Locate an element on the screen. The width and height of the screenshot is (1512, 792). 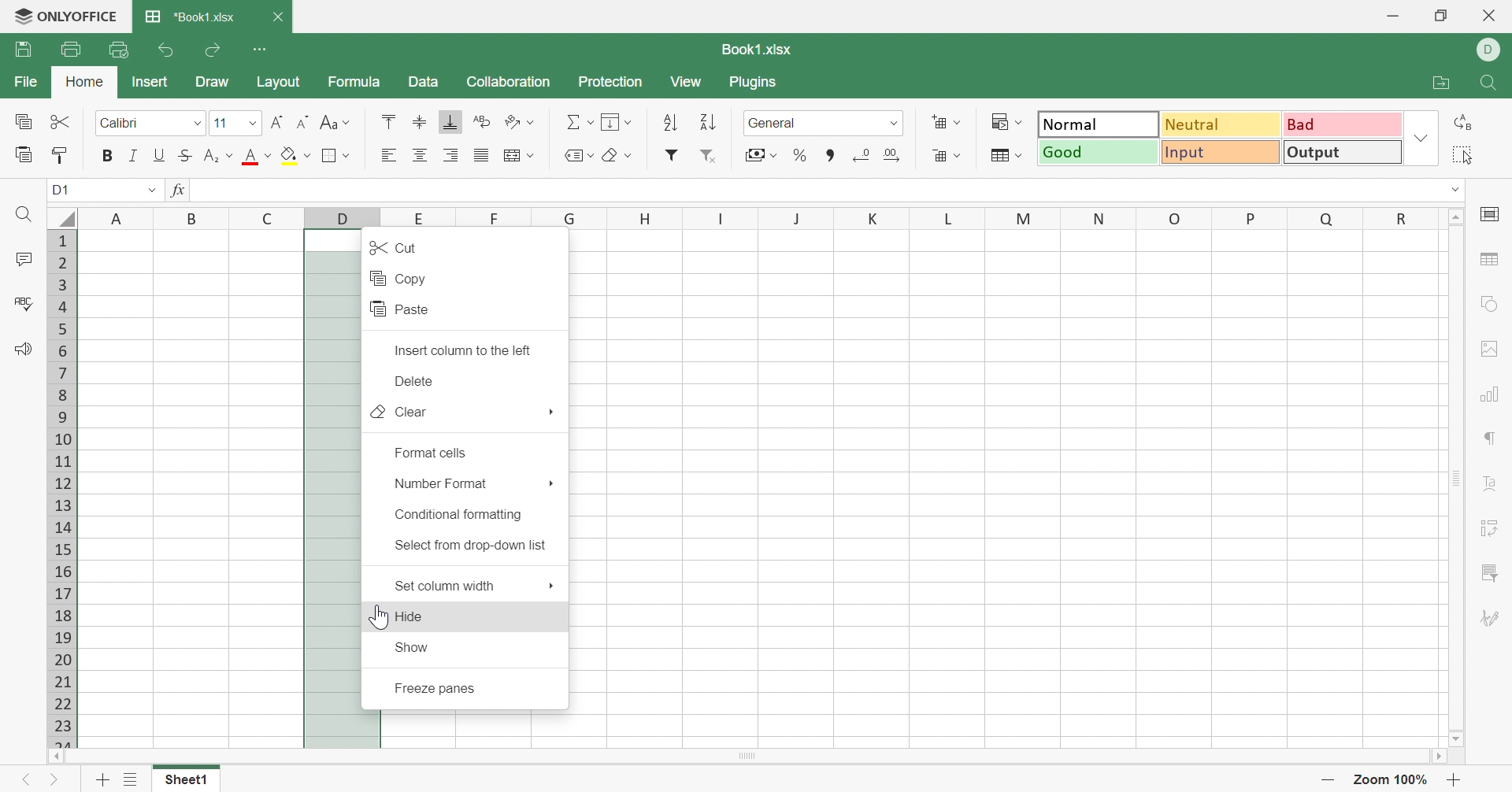
Delete is located at coordinates (411, 381).